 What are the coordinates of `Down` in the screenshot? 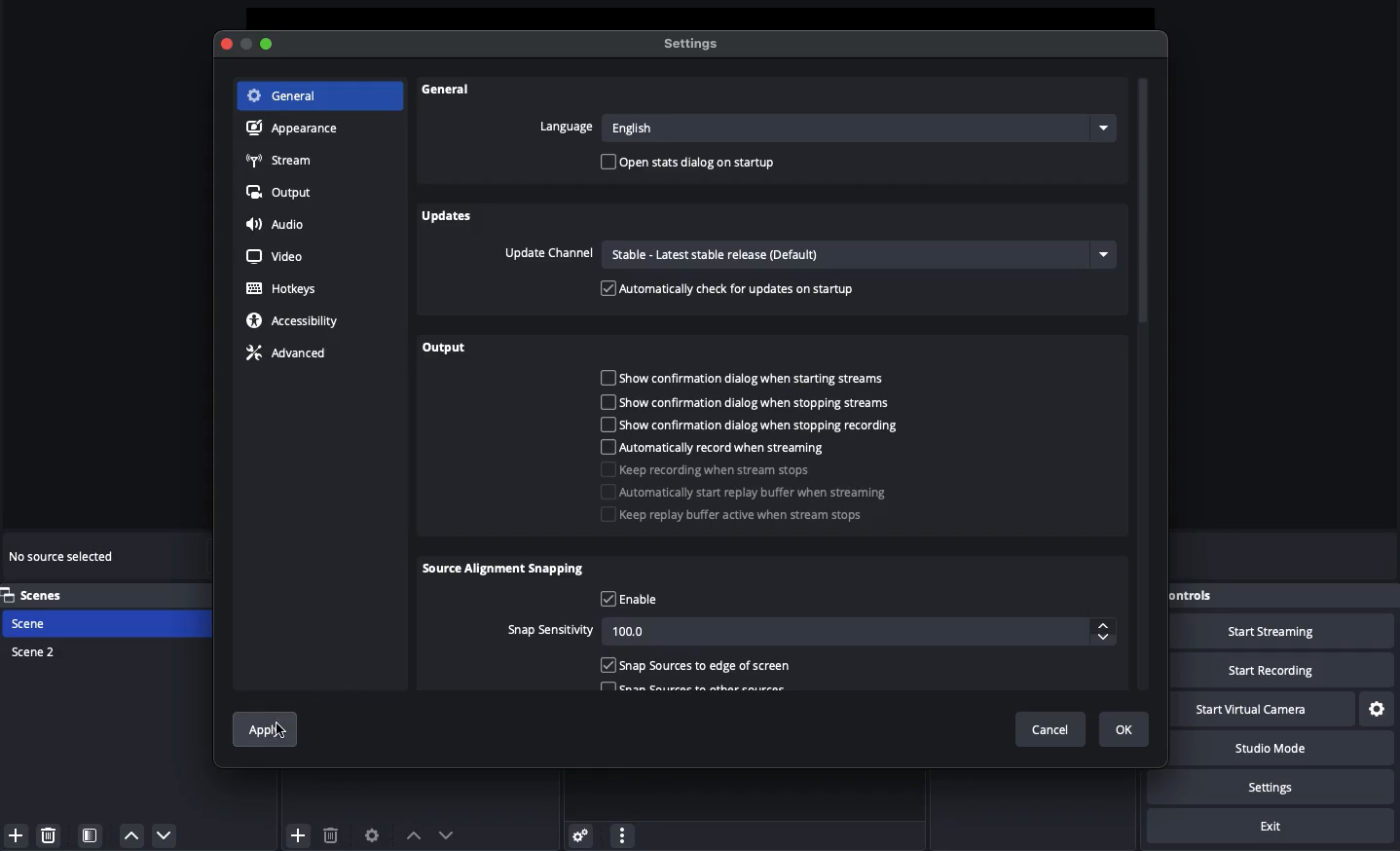 It's located at (448, 832).